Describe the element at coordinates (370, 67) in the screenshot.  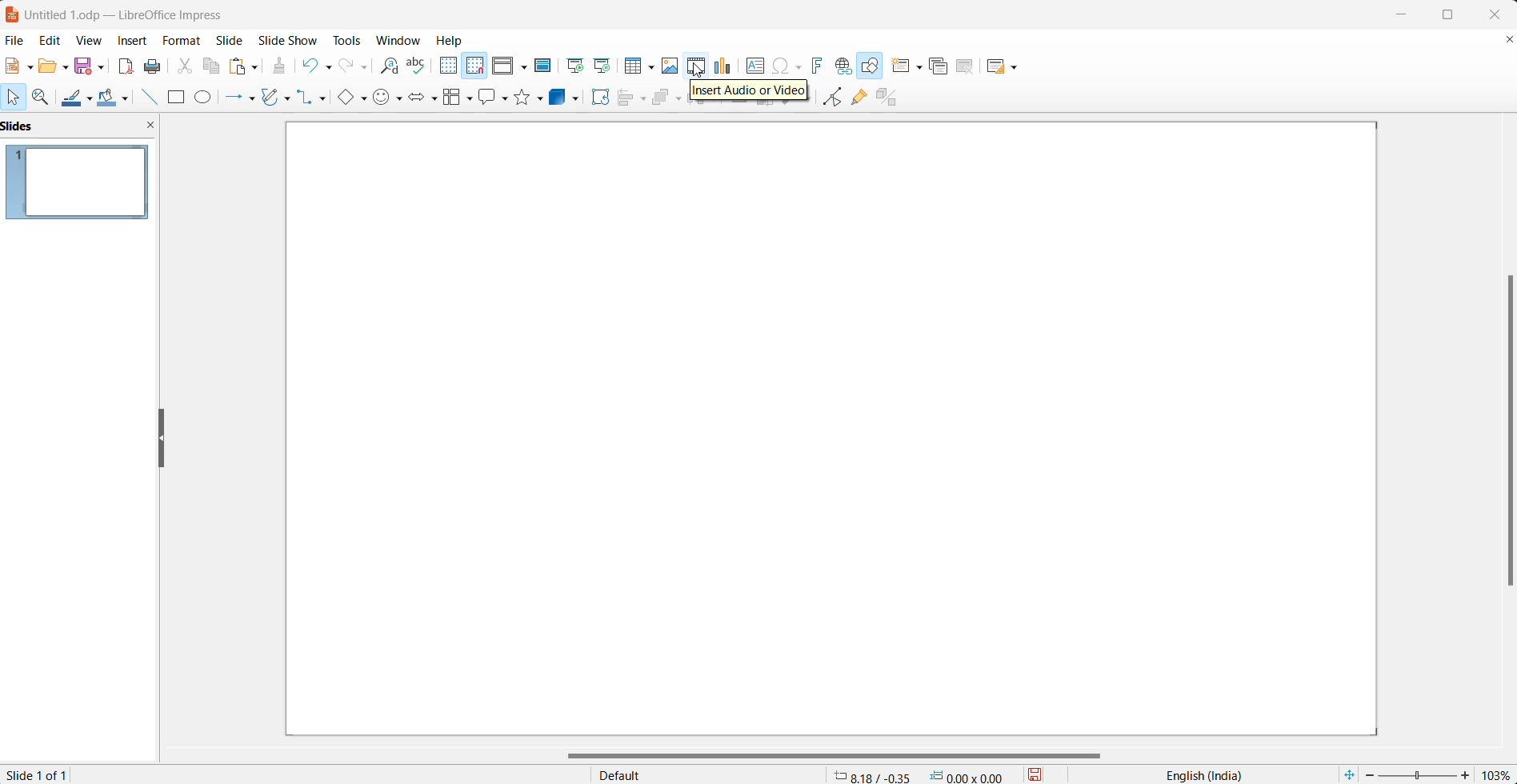
I see `actions to redo dropdown button` at that location.